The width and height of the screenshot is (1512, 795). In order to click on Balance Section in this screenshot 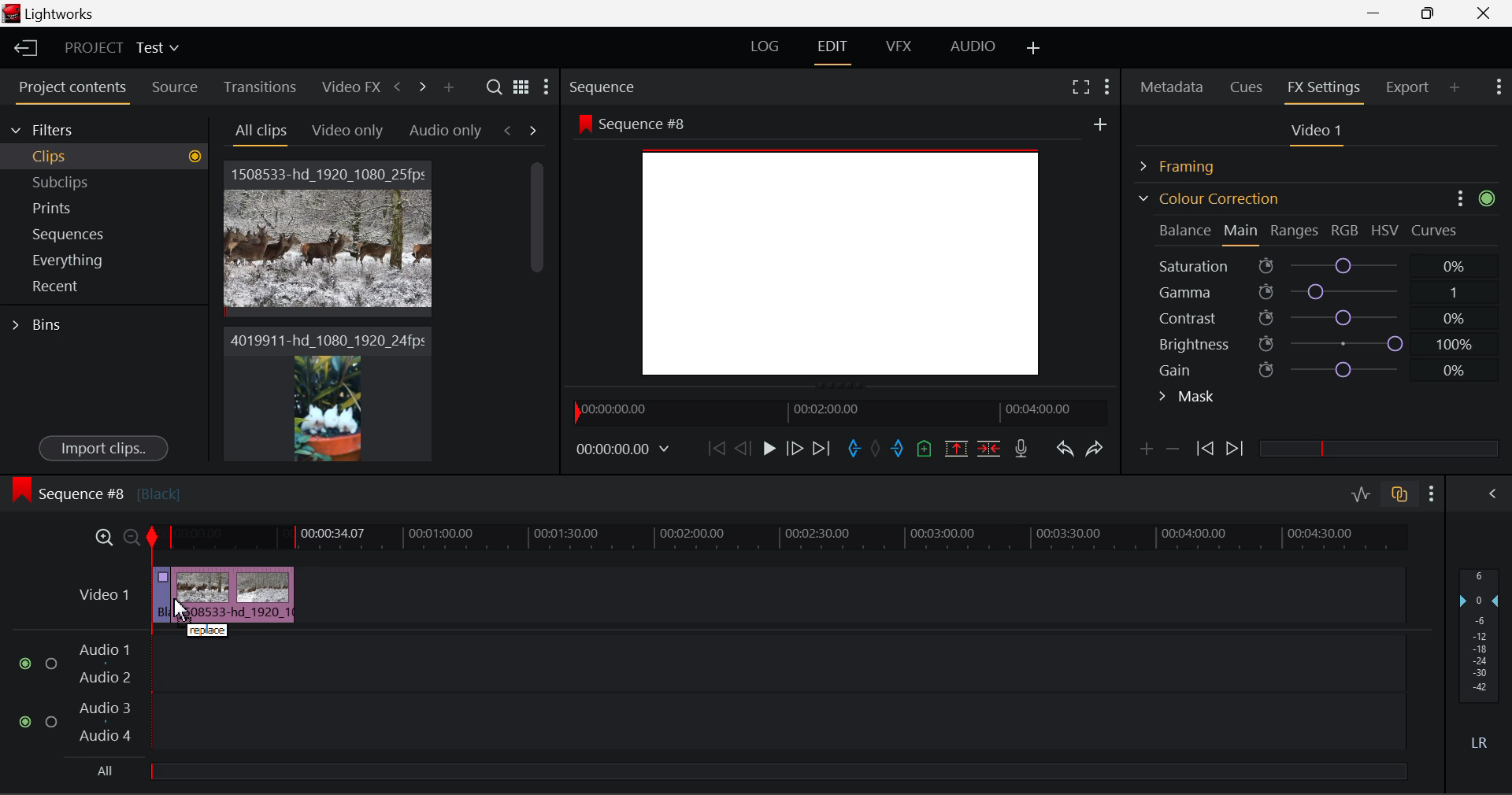, I will do `click(1187, 230)`.